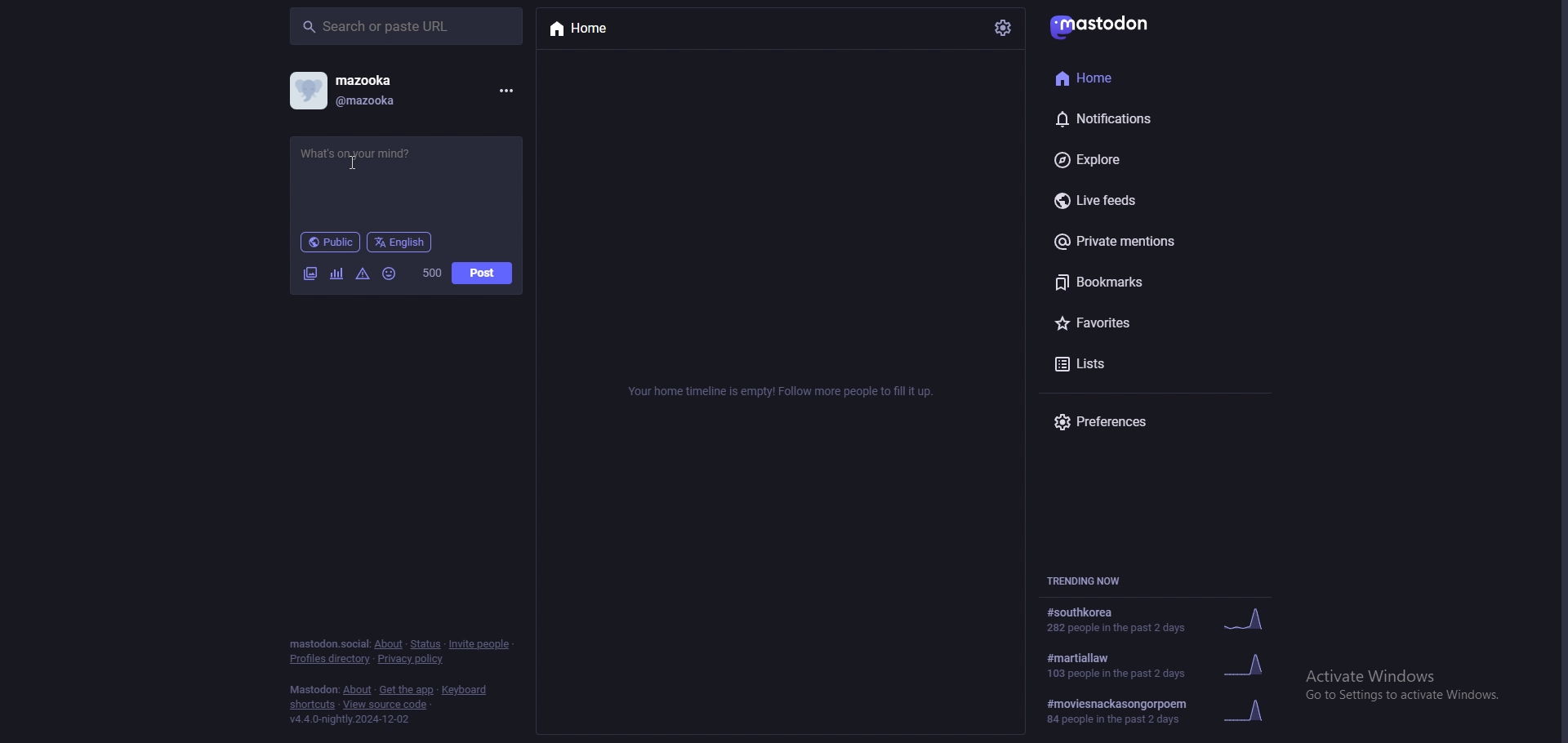  I want to click on home, so click(1122, 78).